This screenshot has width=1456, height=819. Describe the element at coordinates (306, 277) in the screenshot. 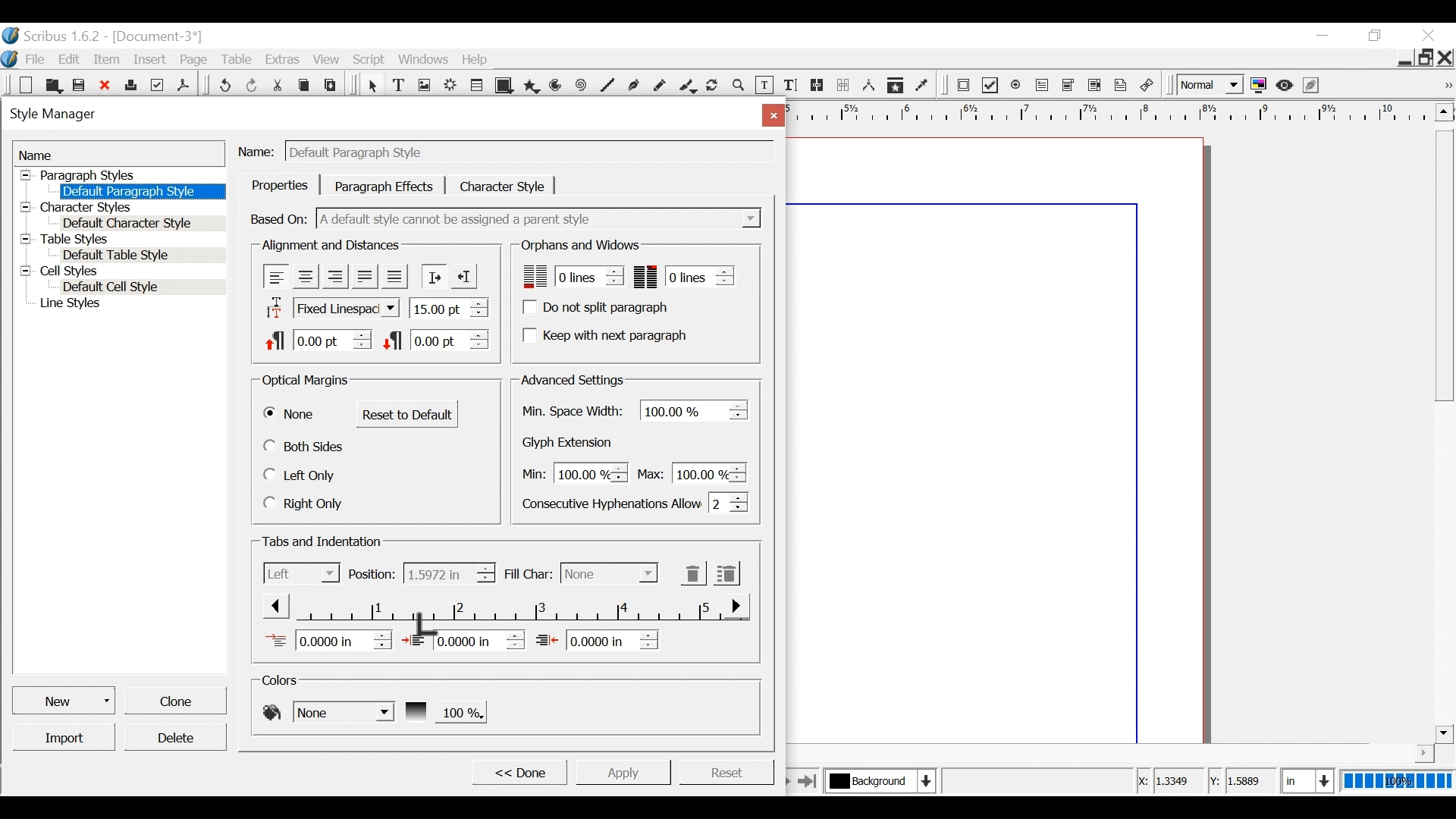

I see `Align Center` at that location.